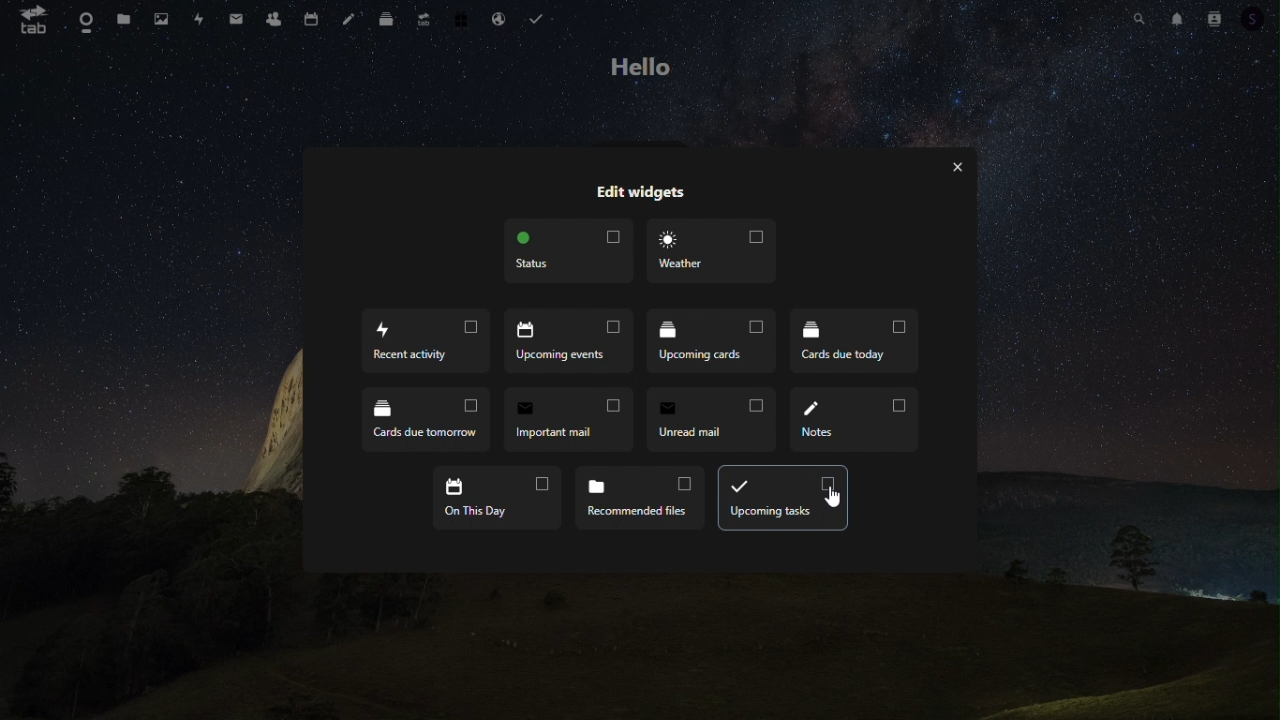  I want to click on important mail, so click(569, 418).